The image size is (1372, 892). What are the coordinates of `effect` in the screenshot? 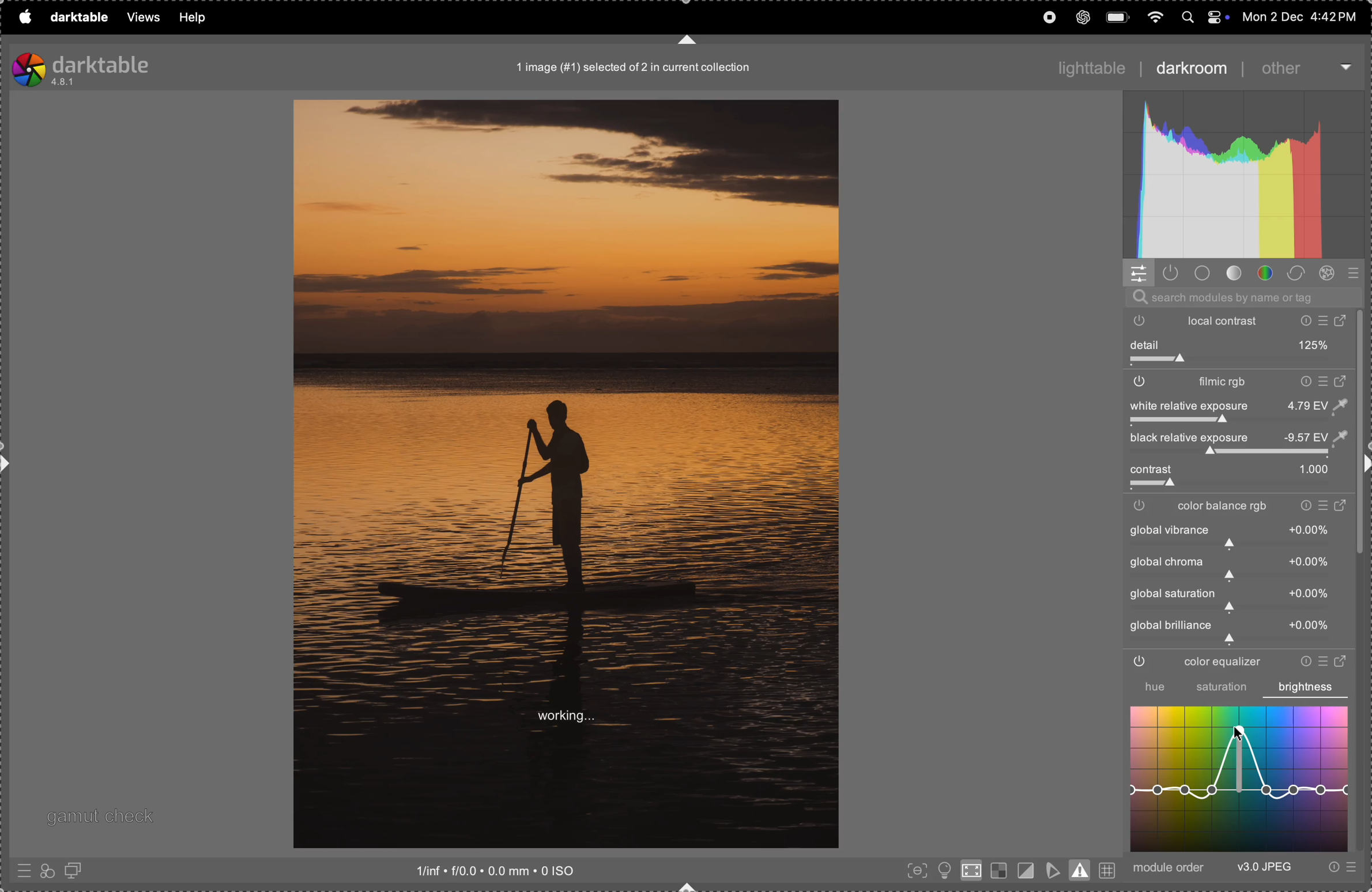 It's located at (1330, 274).